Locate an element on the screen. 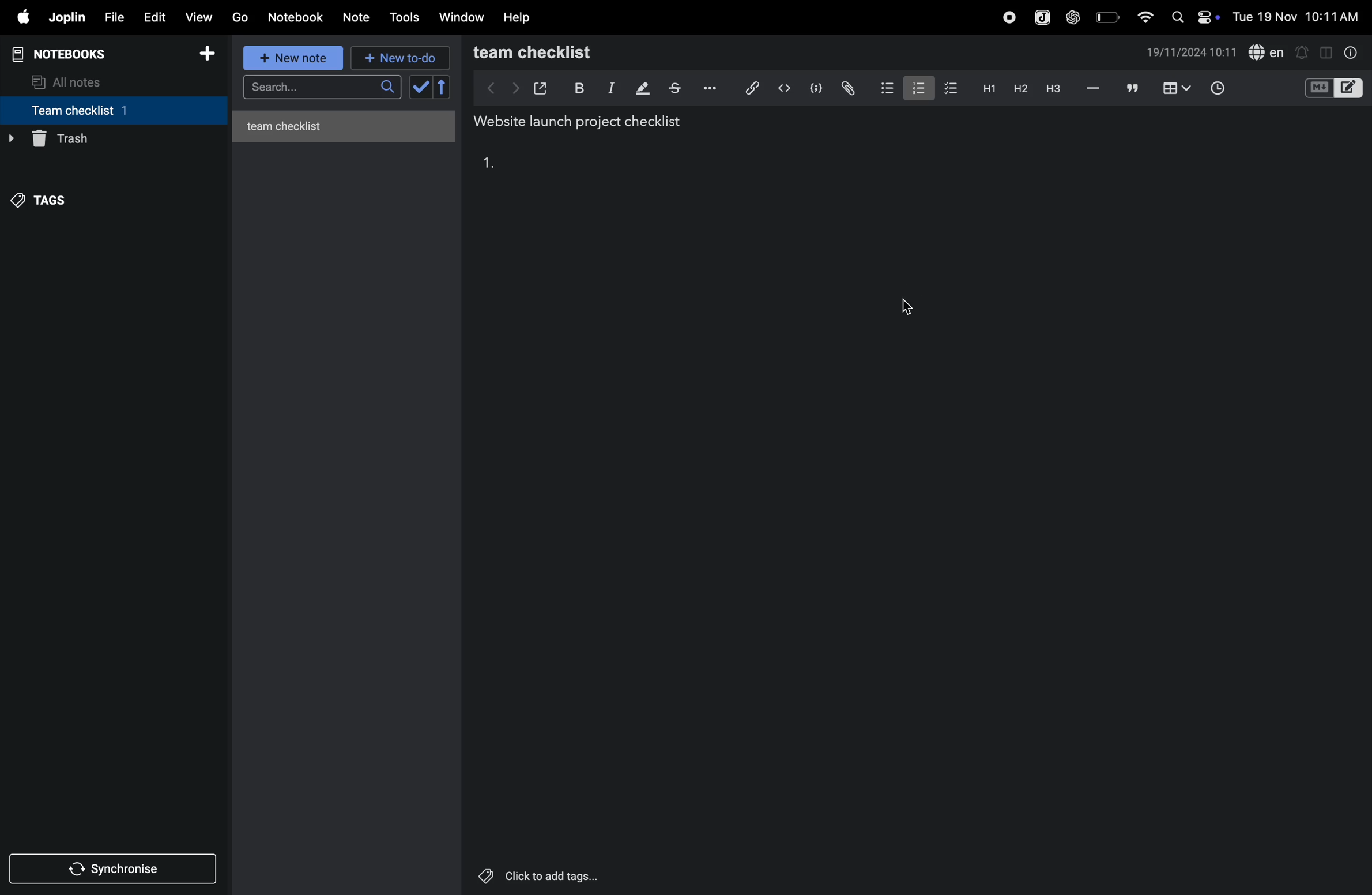 This screenshot has height=895, width=1372. forward is located at coordinates (512, 88).